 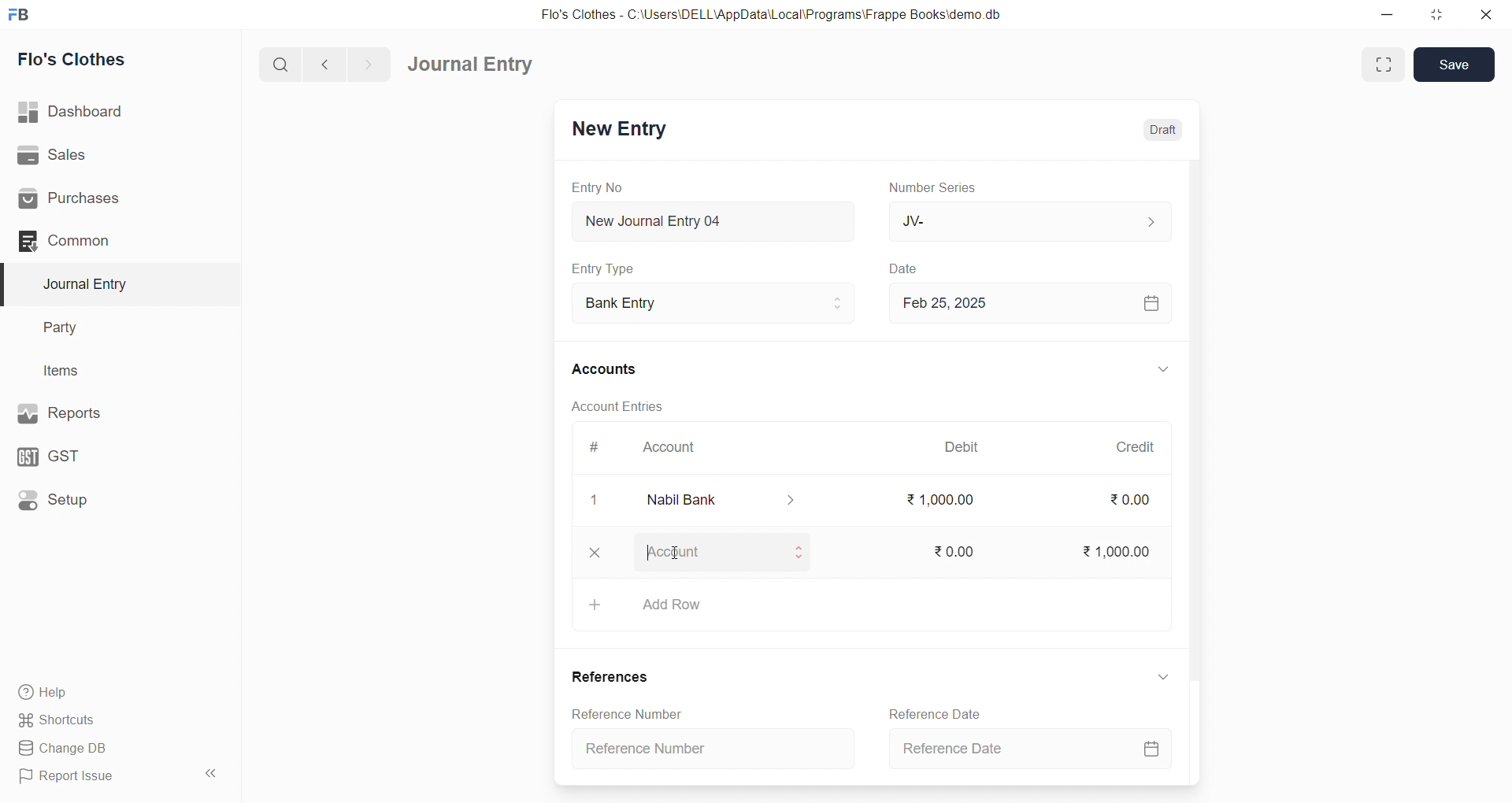 I want to click on Scroll bar, so click(x=1191, y=472).